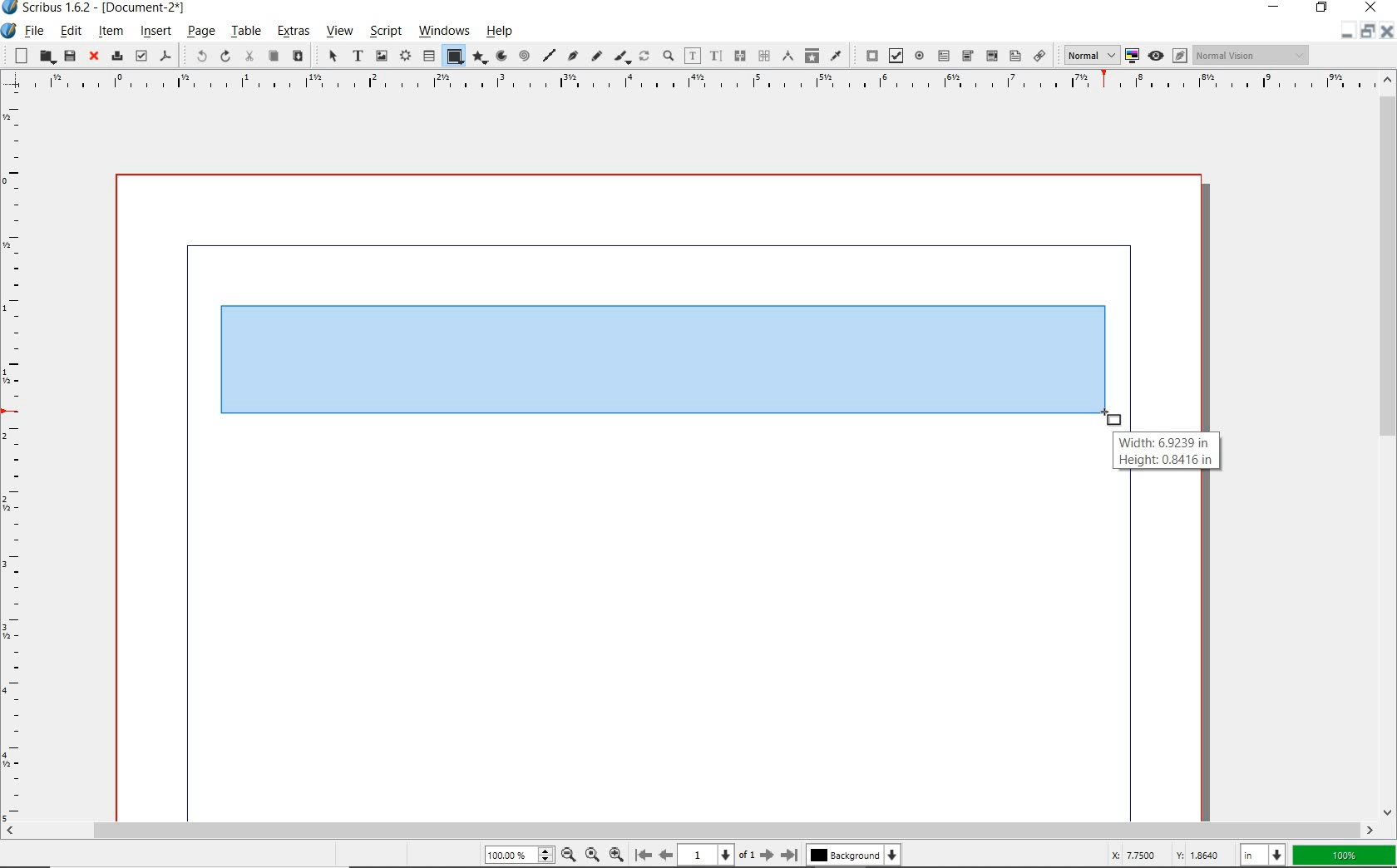 The height and width of the screenshot is (868, 1397). Describe the element at coordinates (644, 55) in the screenshot. I see `rotate item` at that location.